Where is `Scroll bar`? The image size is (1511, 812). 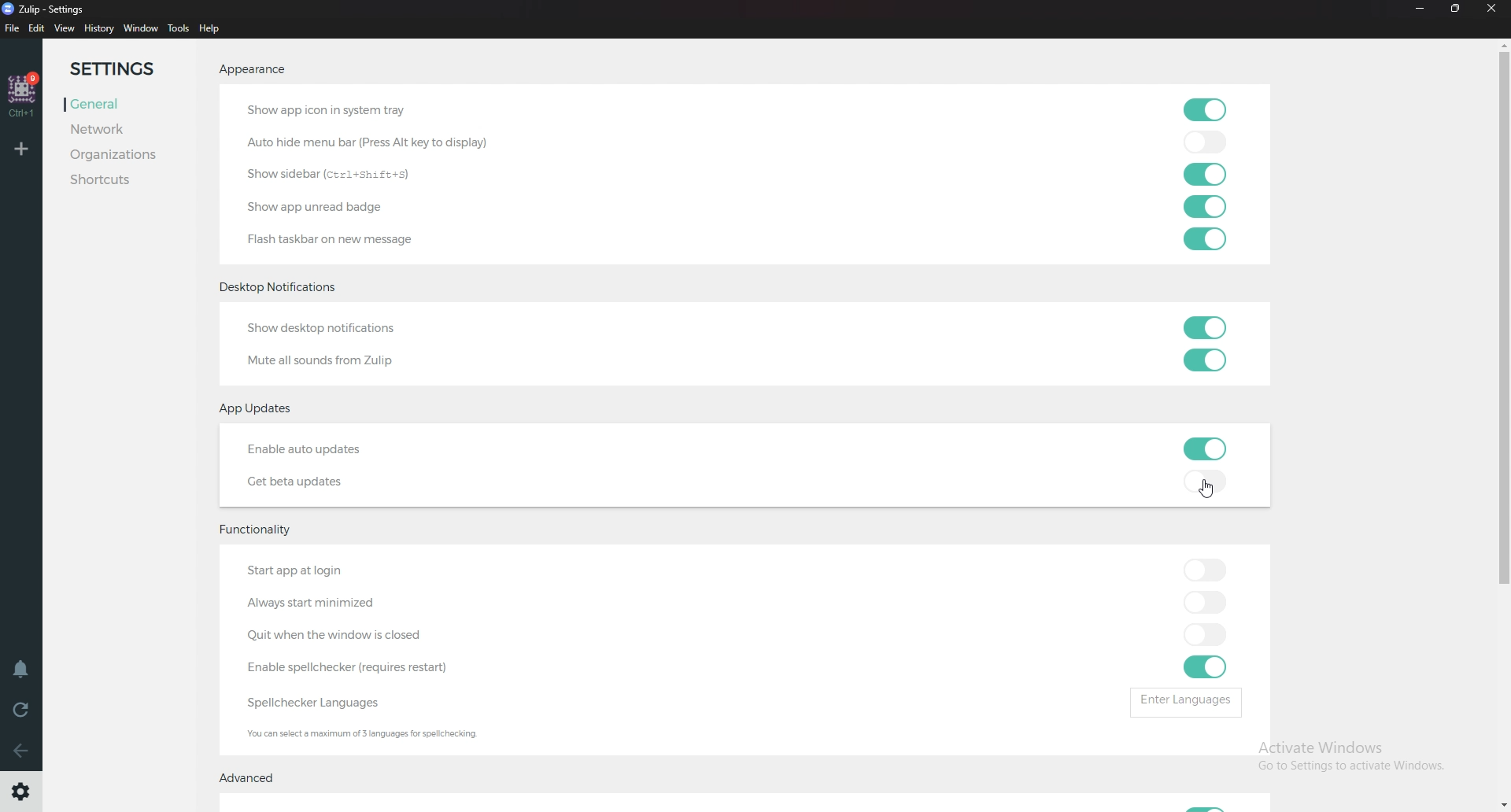
Scroll bar is located at coordinates (1502, 322).